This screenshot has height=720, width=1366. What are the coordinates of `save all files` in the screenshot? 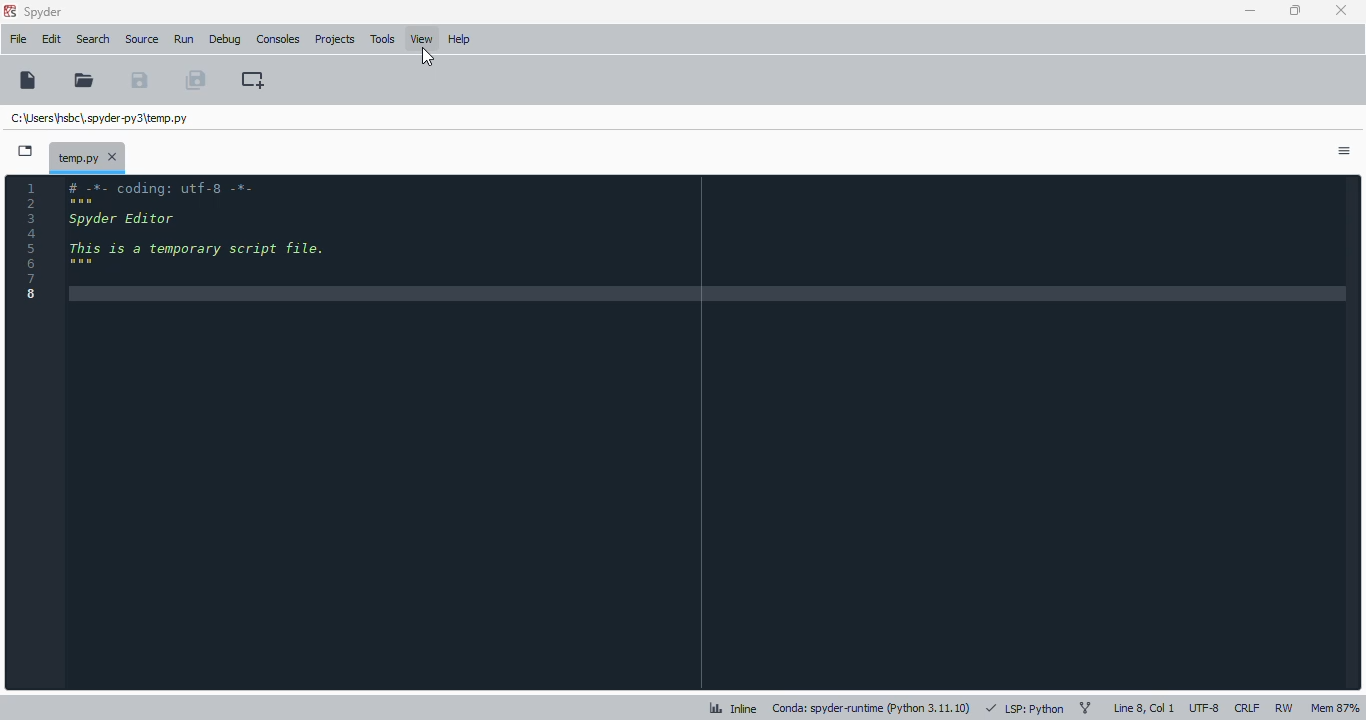 It's located at (193, 79).